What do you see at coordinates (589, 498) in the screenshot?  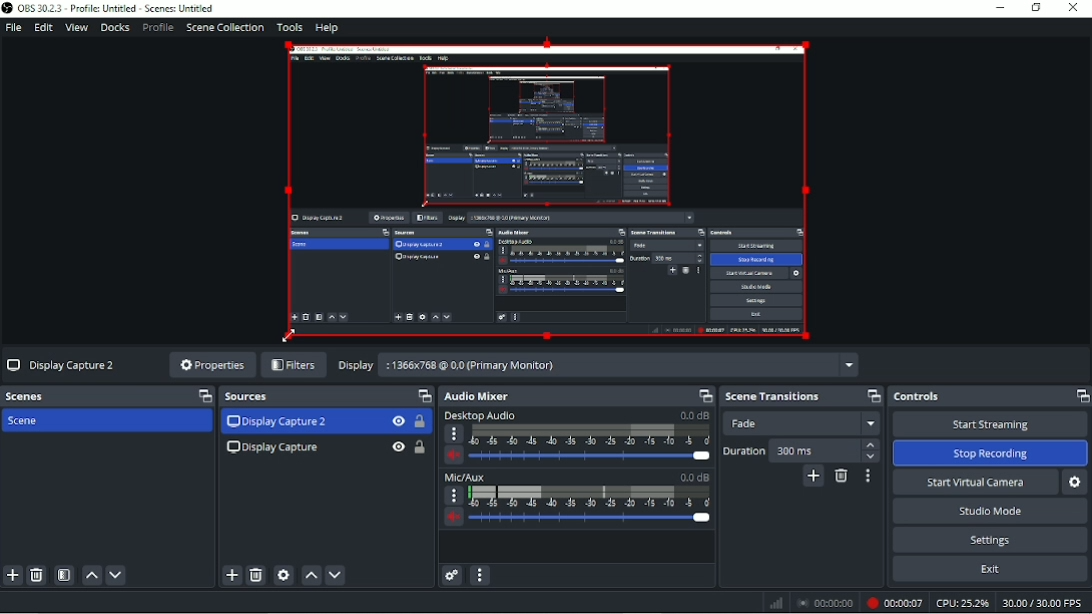 I see `scale` at bounding box center [589, 498].